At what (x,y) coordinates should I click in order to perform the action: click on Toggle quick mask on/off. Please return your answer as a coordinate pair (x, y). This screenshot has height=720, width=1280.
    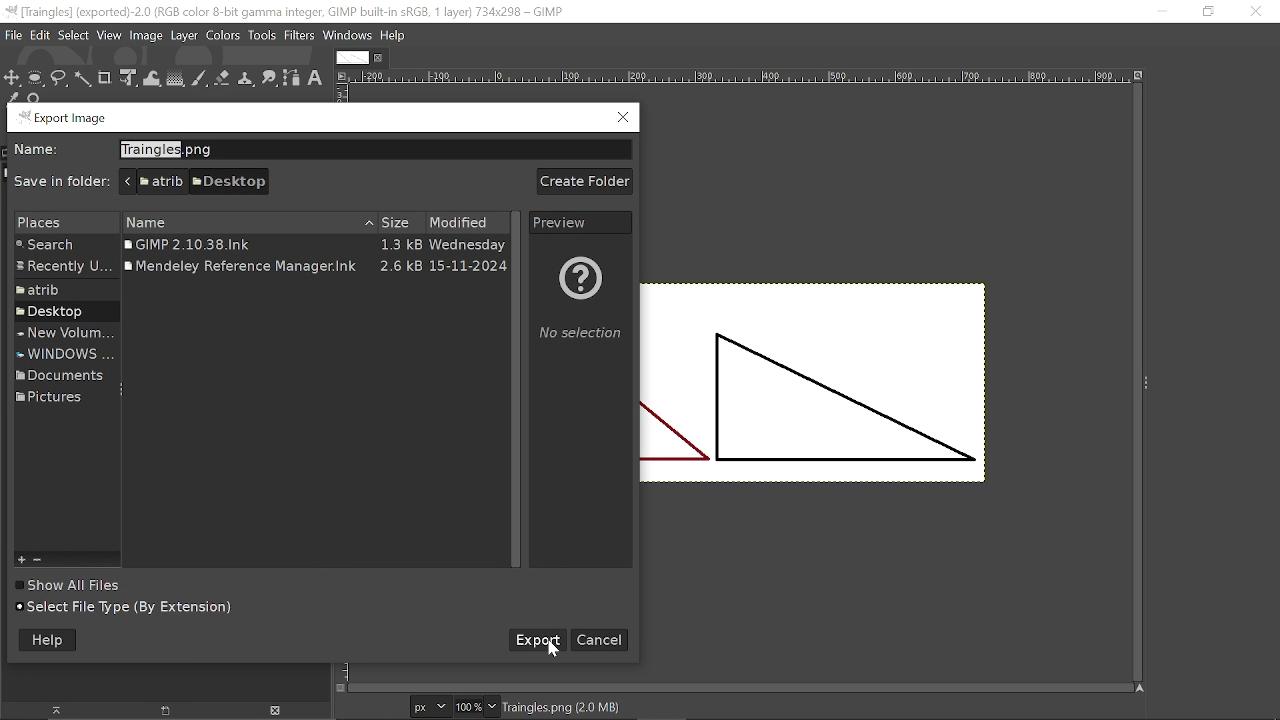
    Looking at the image, I should click on (342, 688).